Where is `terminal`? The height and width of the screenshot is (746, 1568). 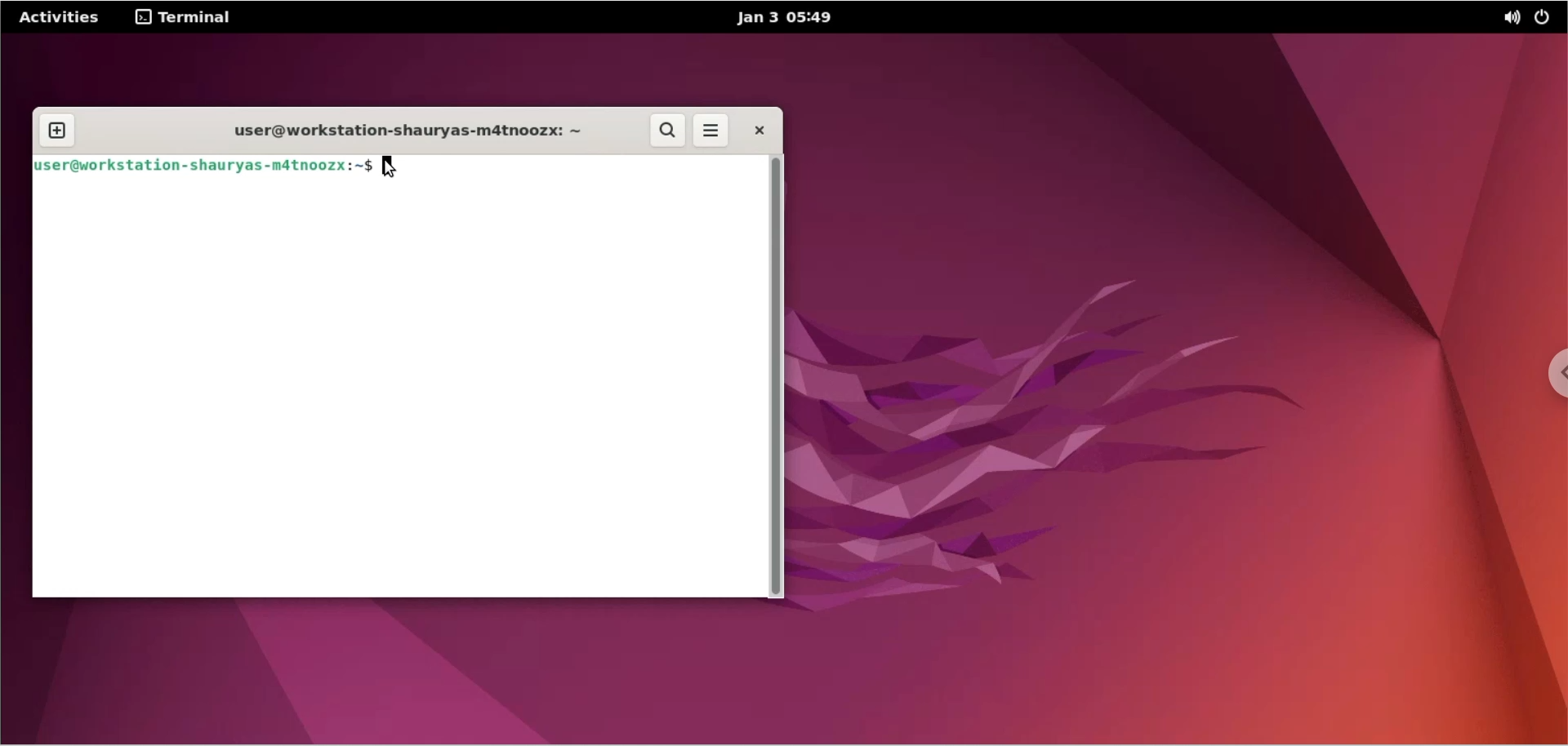
terminal is located at coordinates (188, 16).